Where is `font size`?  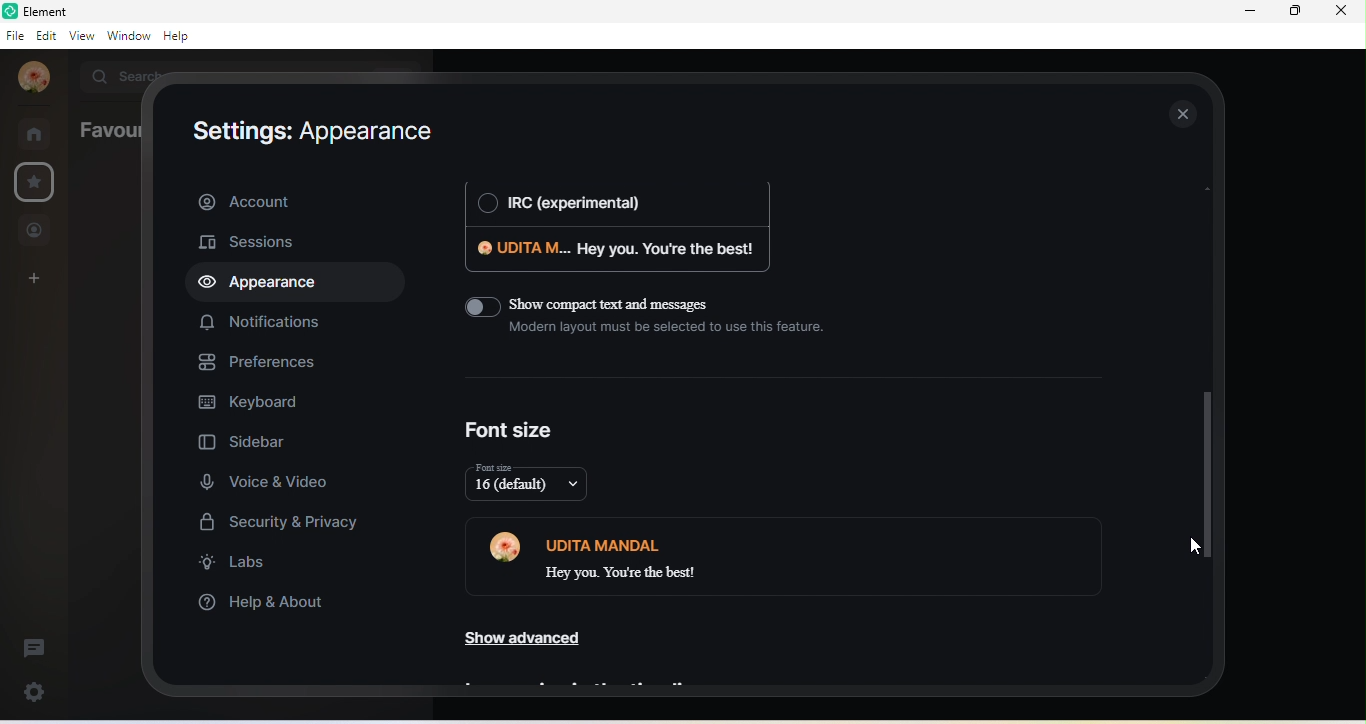 font size is located at coordinates (511, 431).